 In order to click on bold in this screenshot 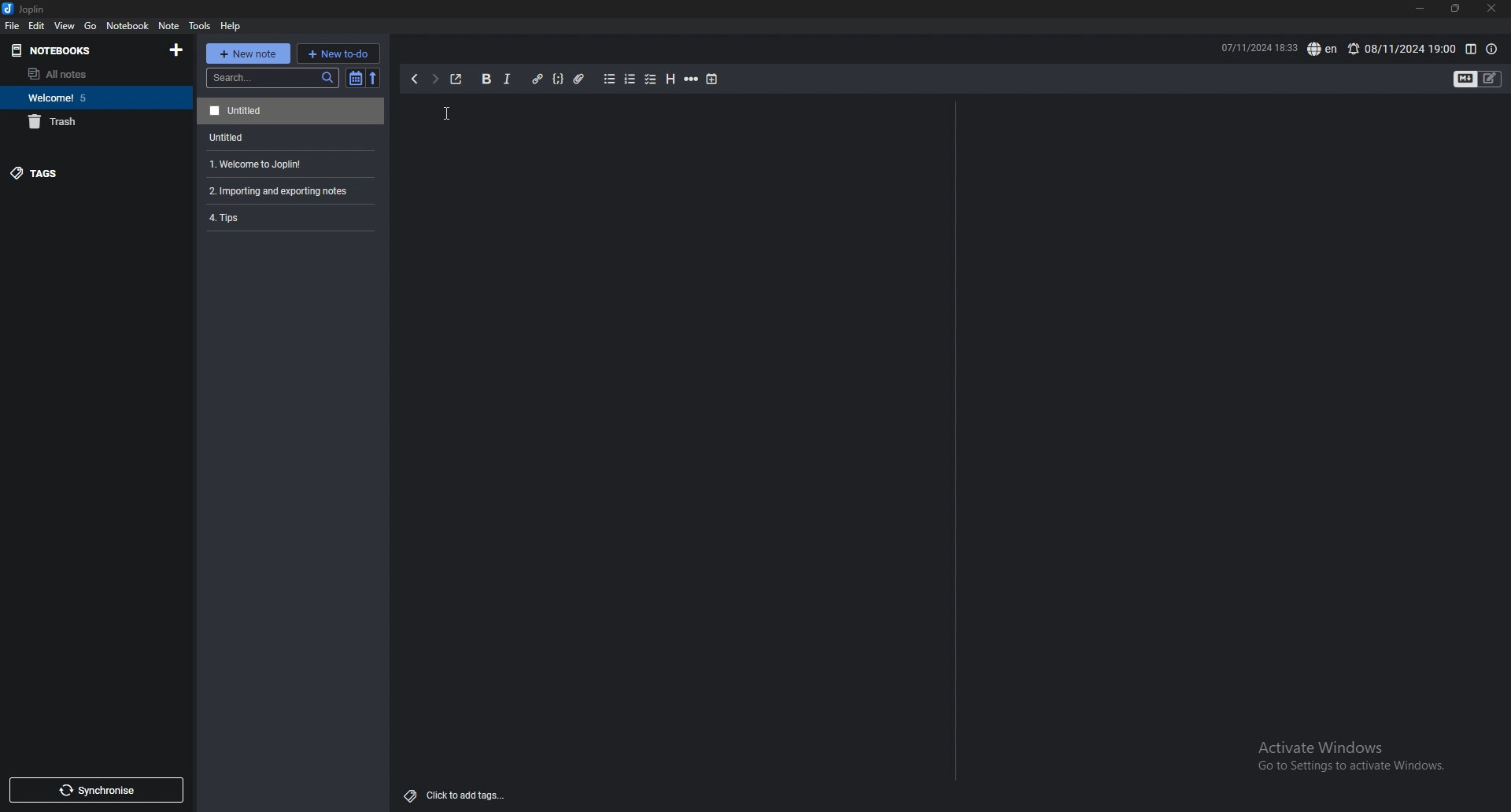, I will do `click(486, 79)`.